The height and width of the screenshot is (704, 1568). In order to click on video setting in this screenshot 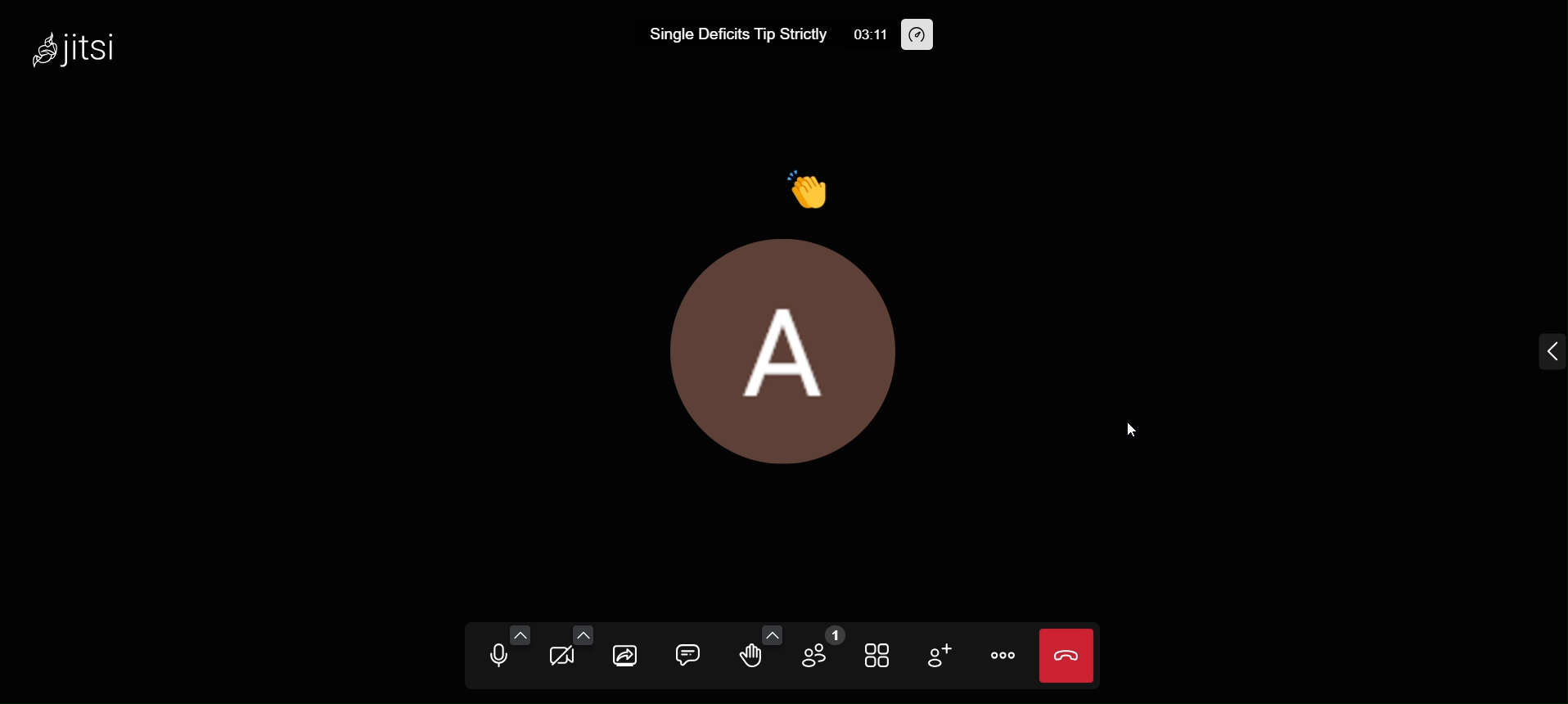, I will do `click(584, 634)`.